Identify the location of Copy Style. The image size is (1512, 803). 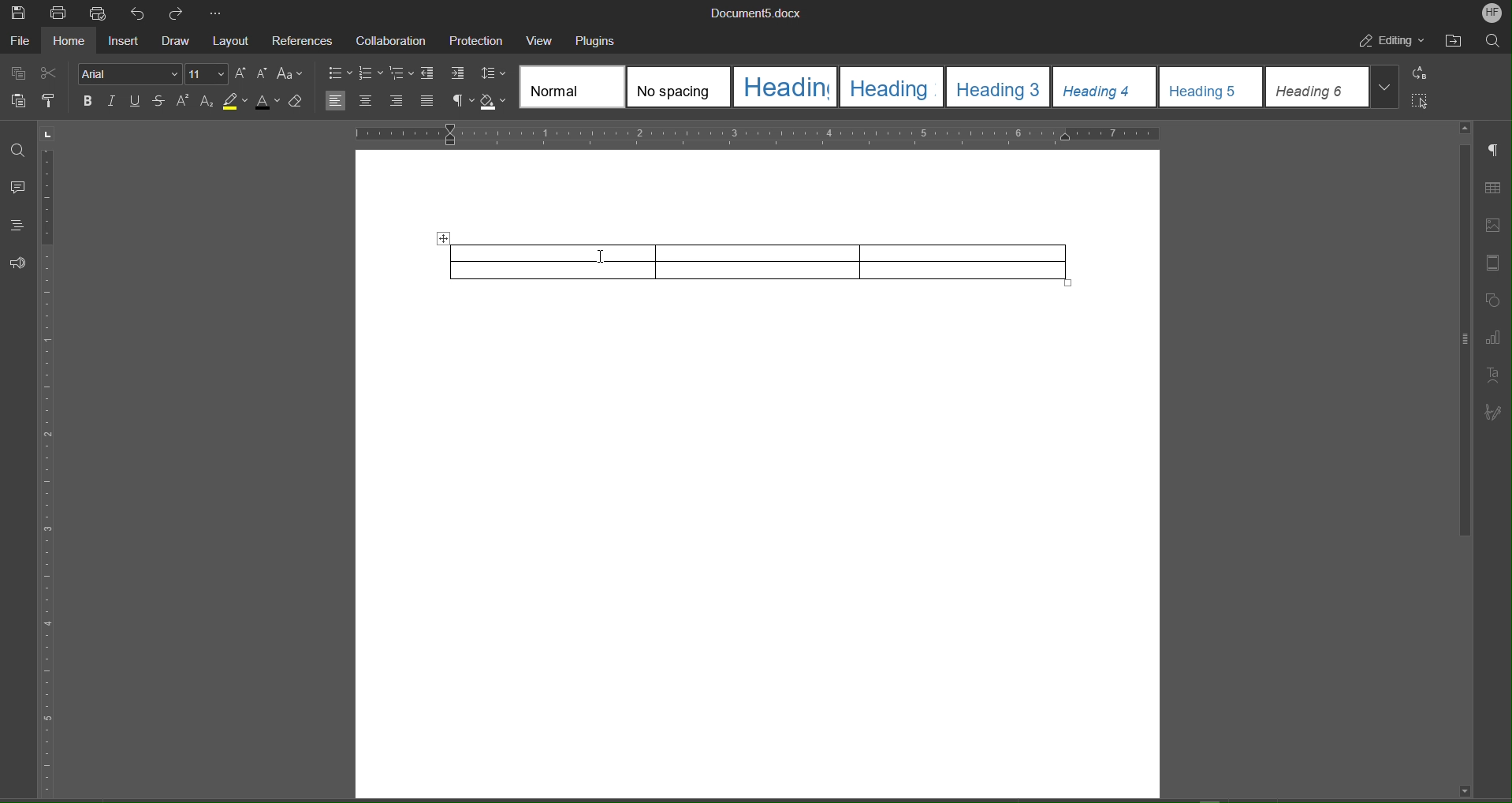
(53, 103).